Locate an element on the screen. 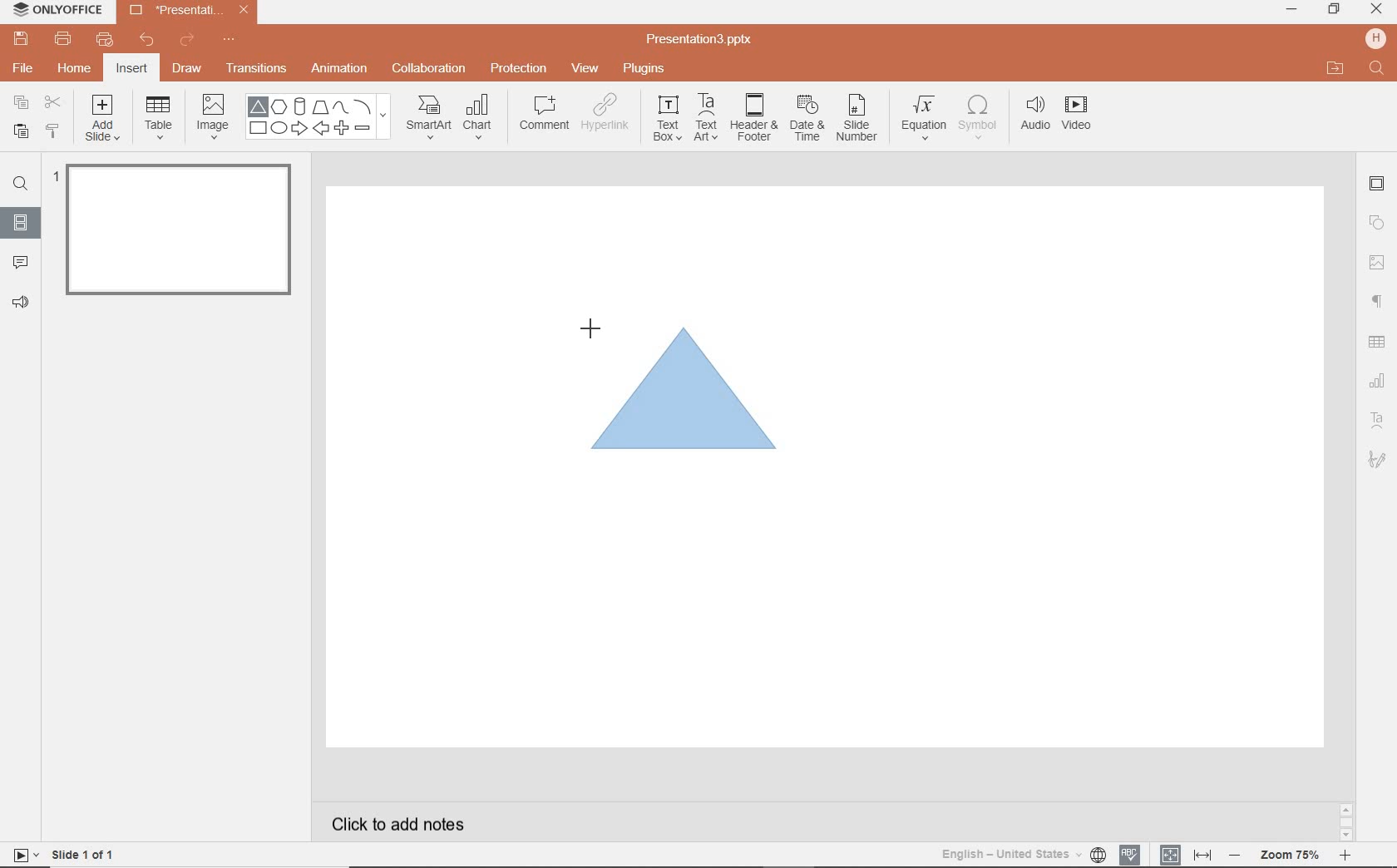 This screenshot has height=868, width=1397. mouse pointer is located at coordinates (589, 326).